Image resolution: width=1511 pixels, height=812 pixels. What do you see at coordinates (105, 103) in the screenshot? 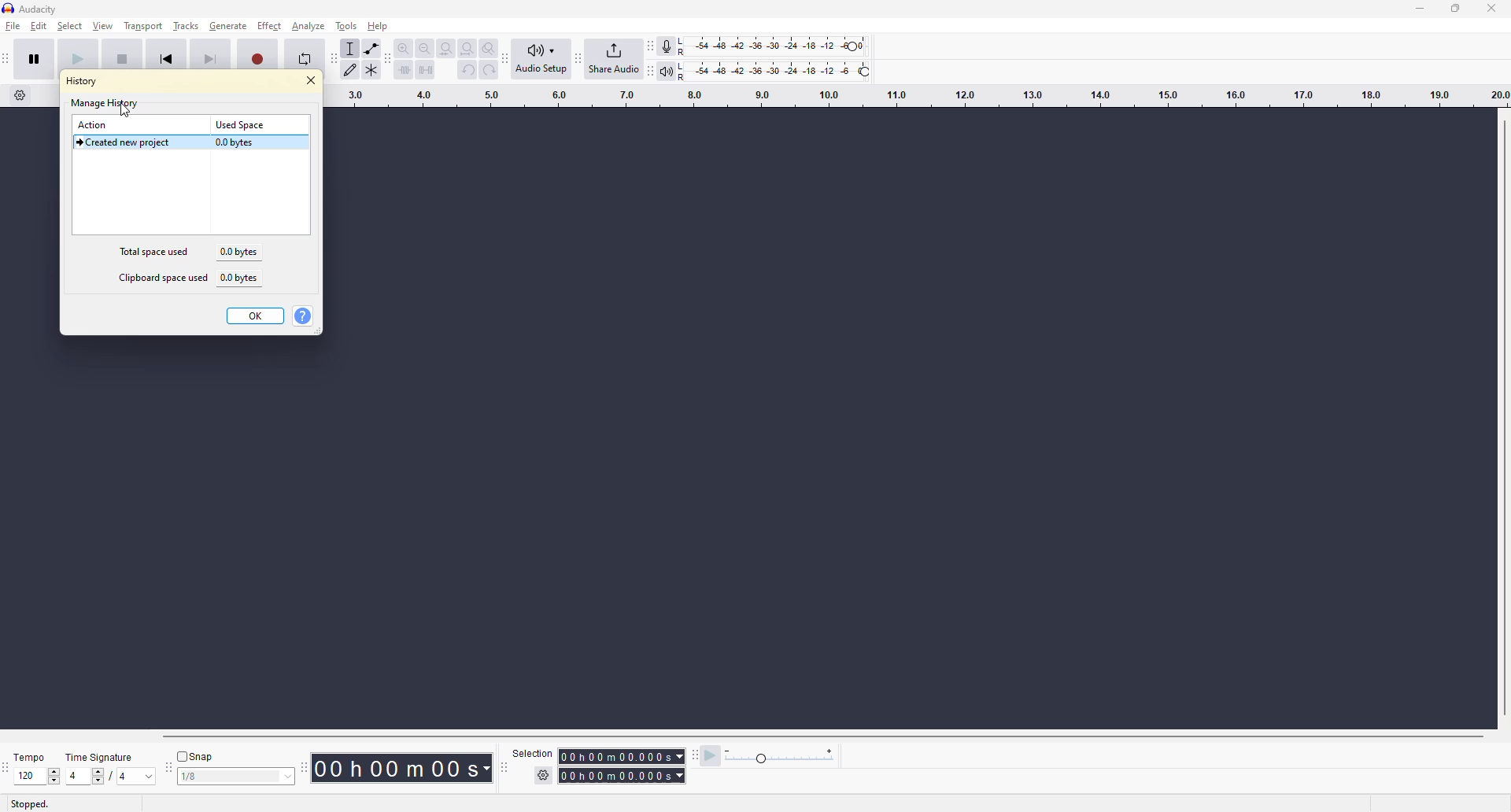
I see `Manage History` at bounding box center [105, 103].